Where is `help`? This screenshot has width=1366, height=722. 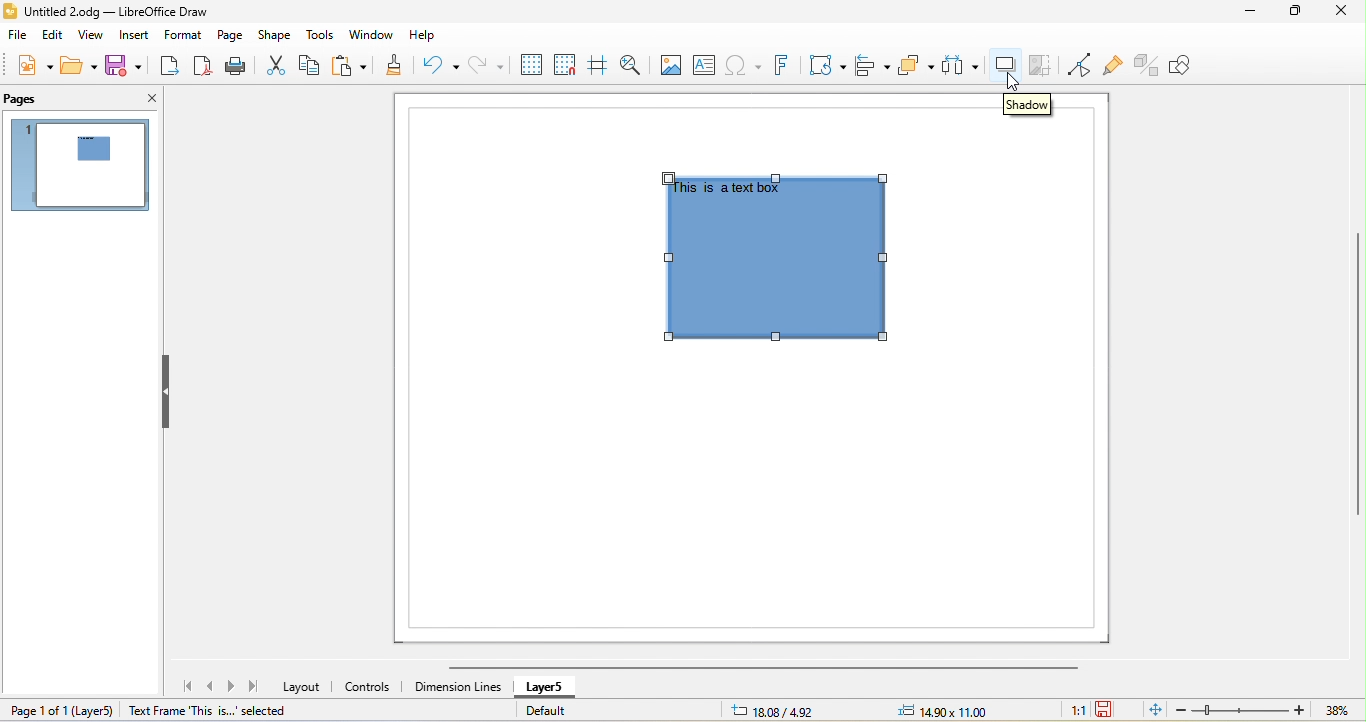
help is located at coordinates (430, 37).